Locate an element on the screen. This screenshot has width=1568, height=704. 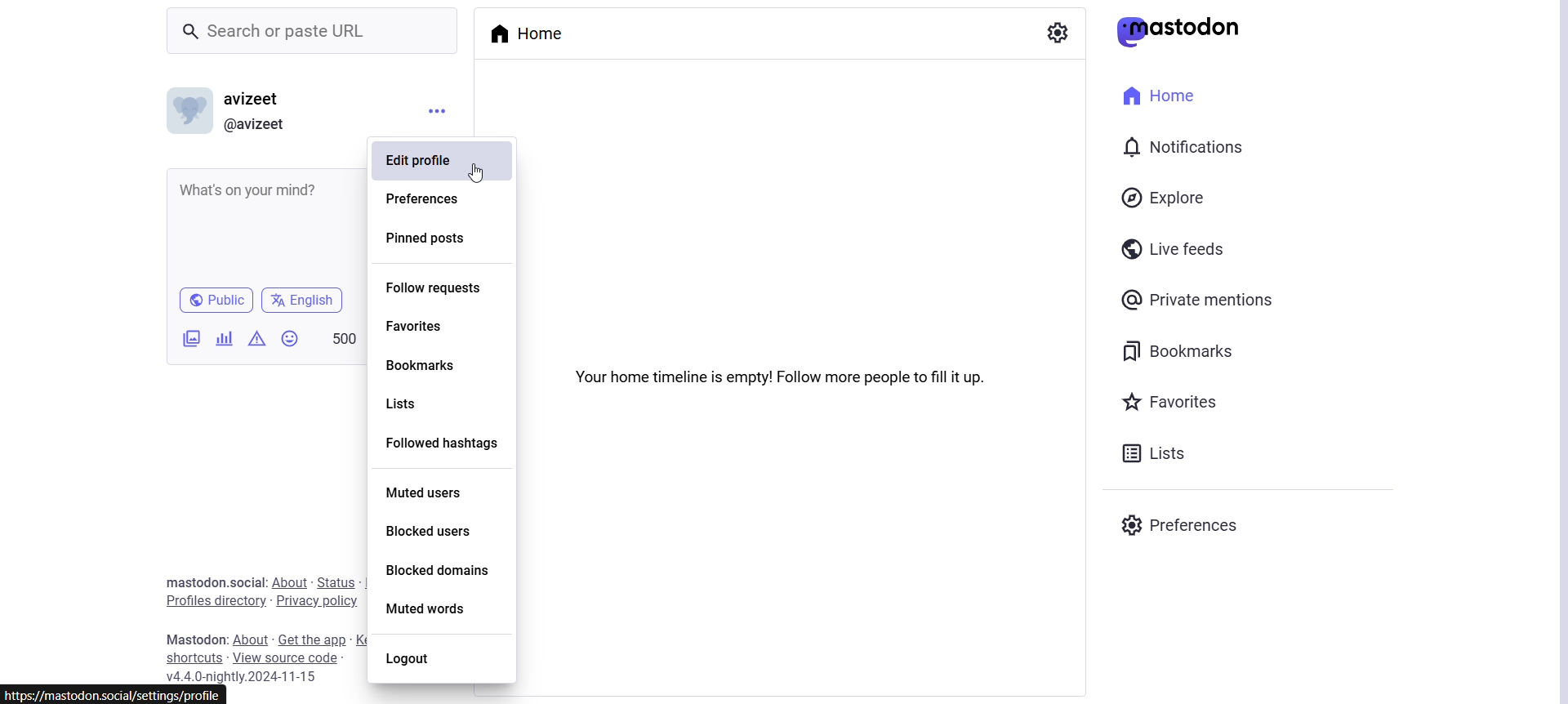
link is located at coordinates (114, 696).